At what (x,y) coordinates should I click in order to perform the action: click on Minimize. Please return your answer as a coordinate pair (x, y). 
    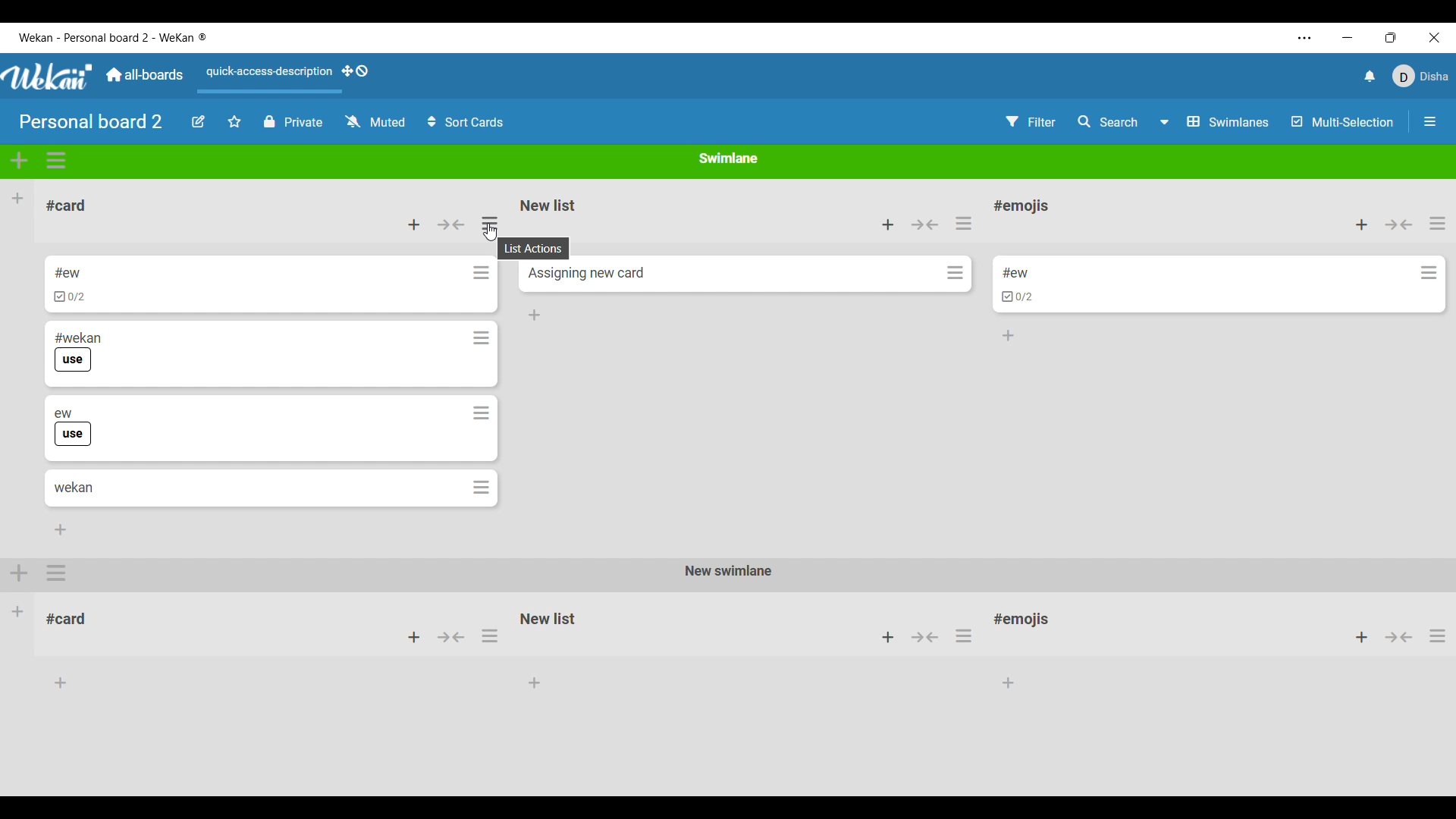
    Looking at the image, I should click on (1348, 37).